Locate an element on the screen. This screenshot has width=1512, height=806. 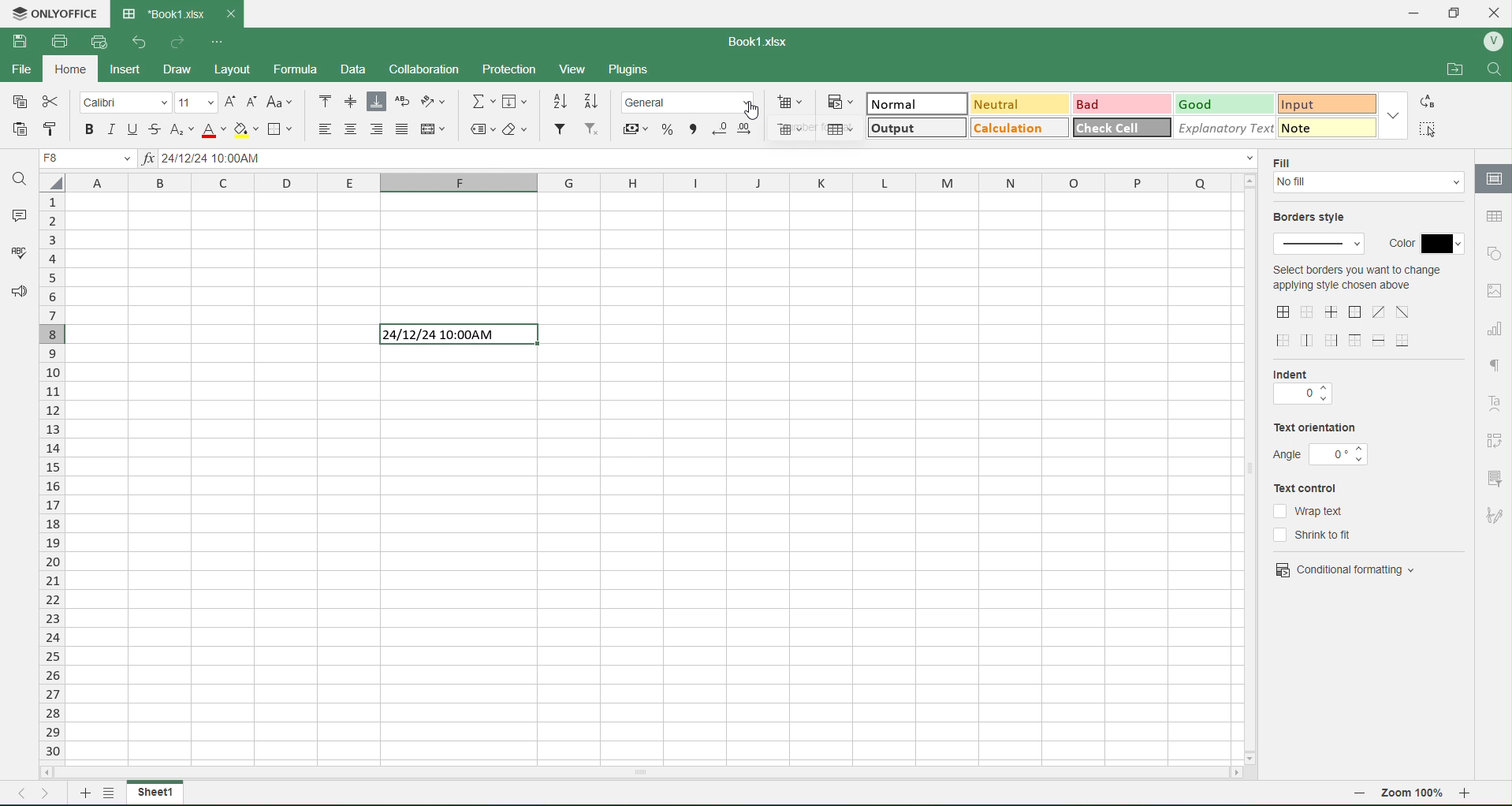
Increase Decimal is located at coordinates (747, 126).